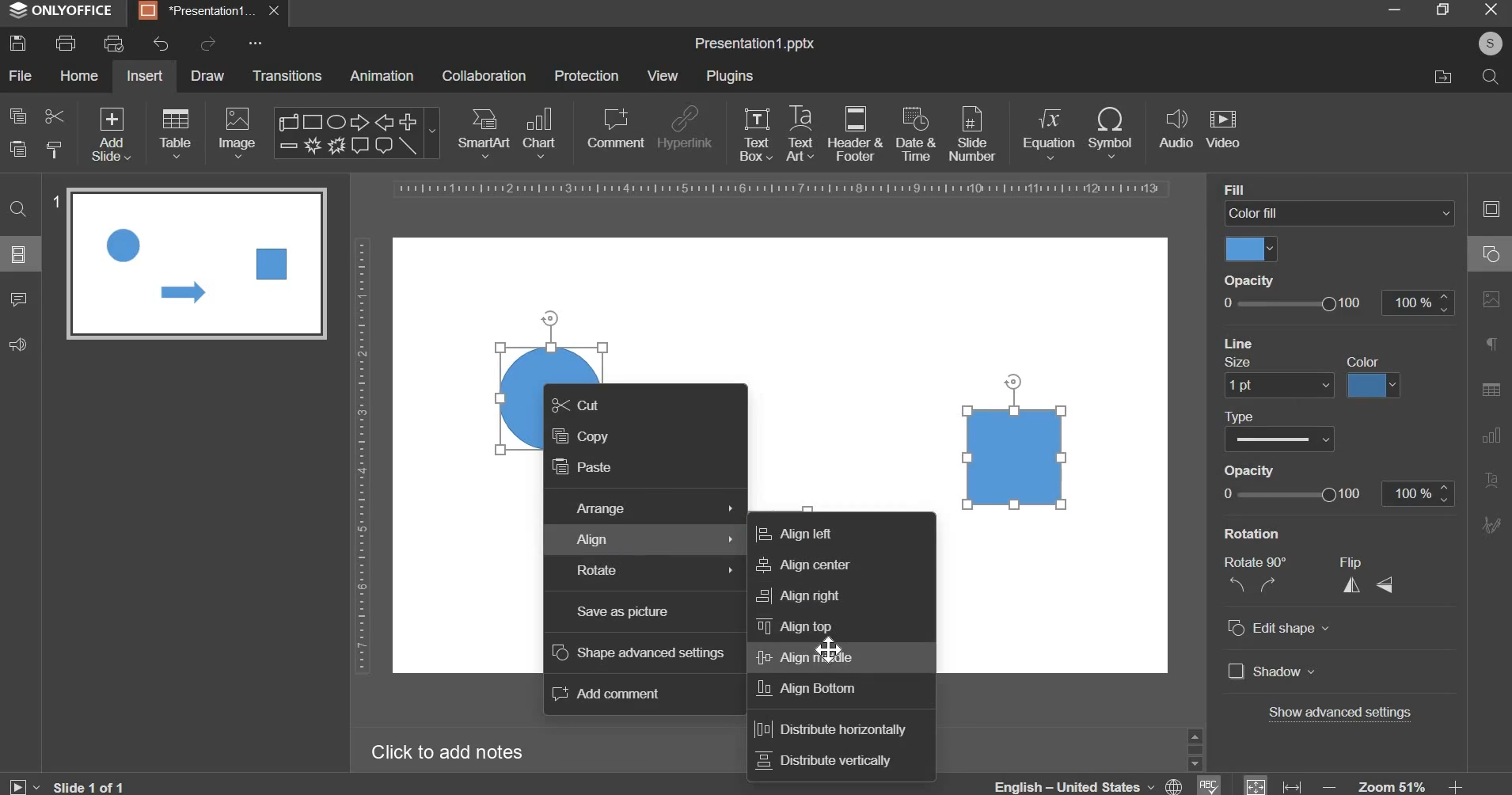 The height and width of the screenshot is (795, 1512). What do you see at coordinates (1110, 131) in the screenshot?
I see `symbol` at bounding box center [1110, 131].